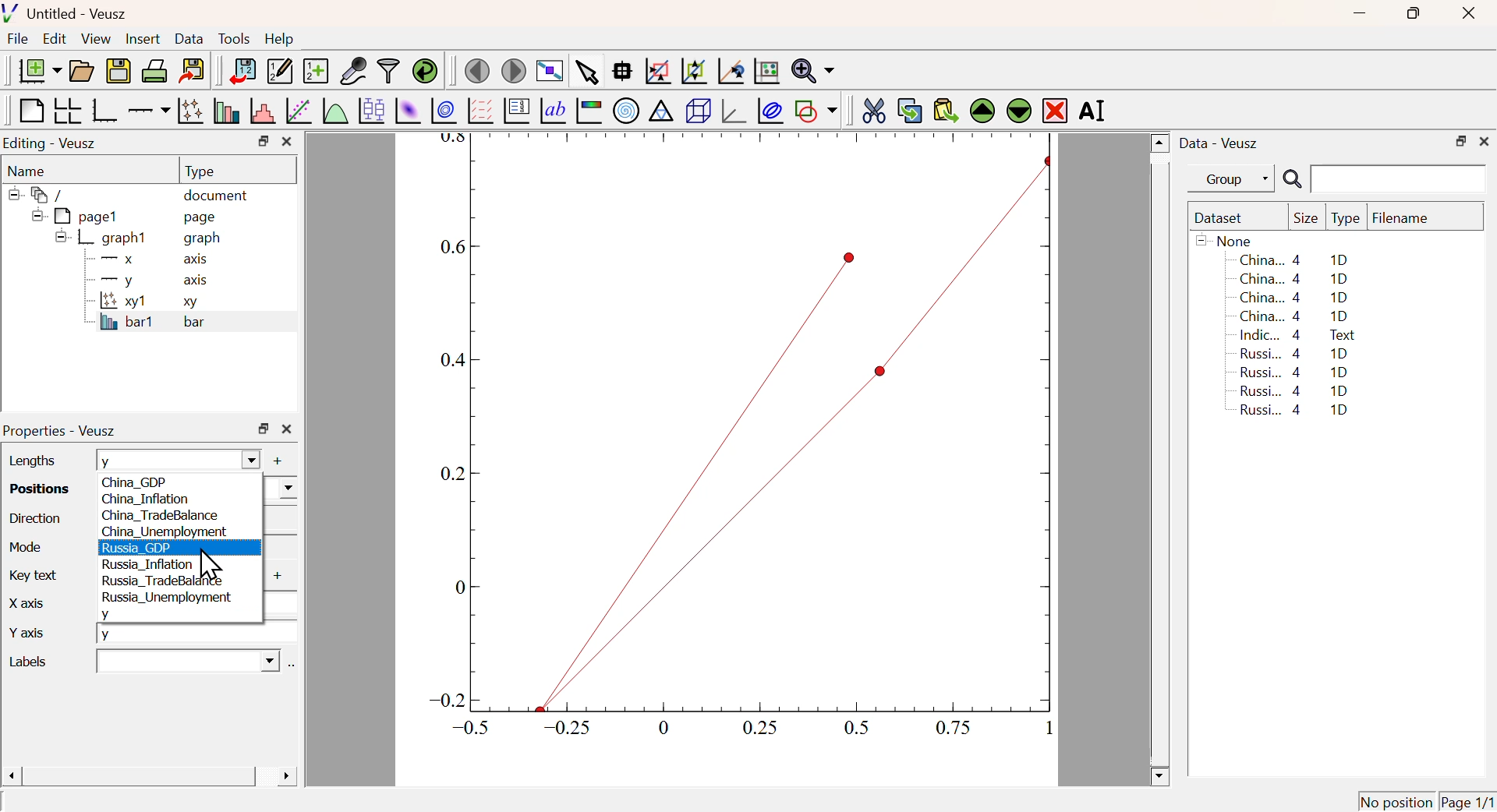 This screenshot has height=812, width=1497. What do you see at coordinates (660, 110) in the screenshot?
I see `Ternary Graph` at bounding box center [660, 110].